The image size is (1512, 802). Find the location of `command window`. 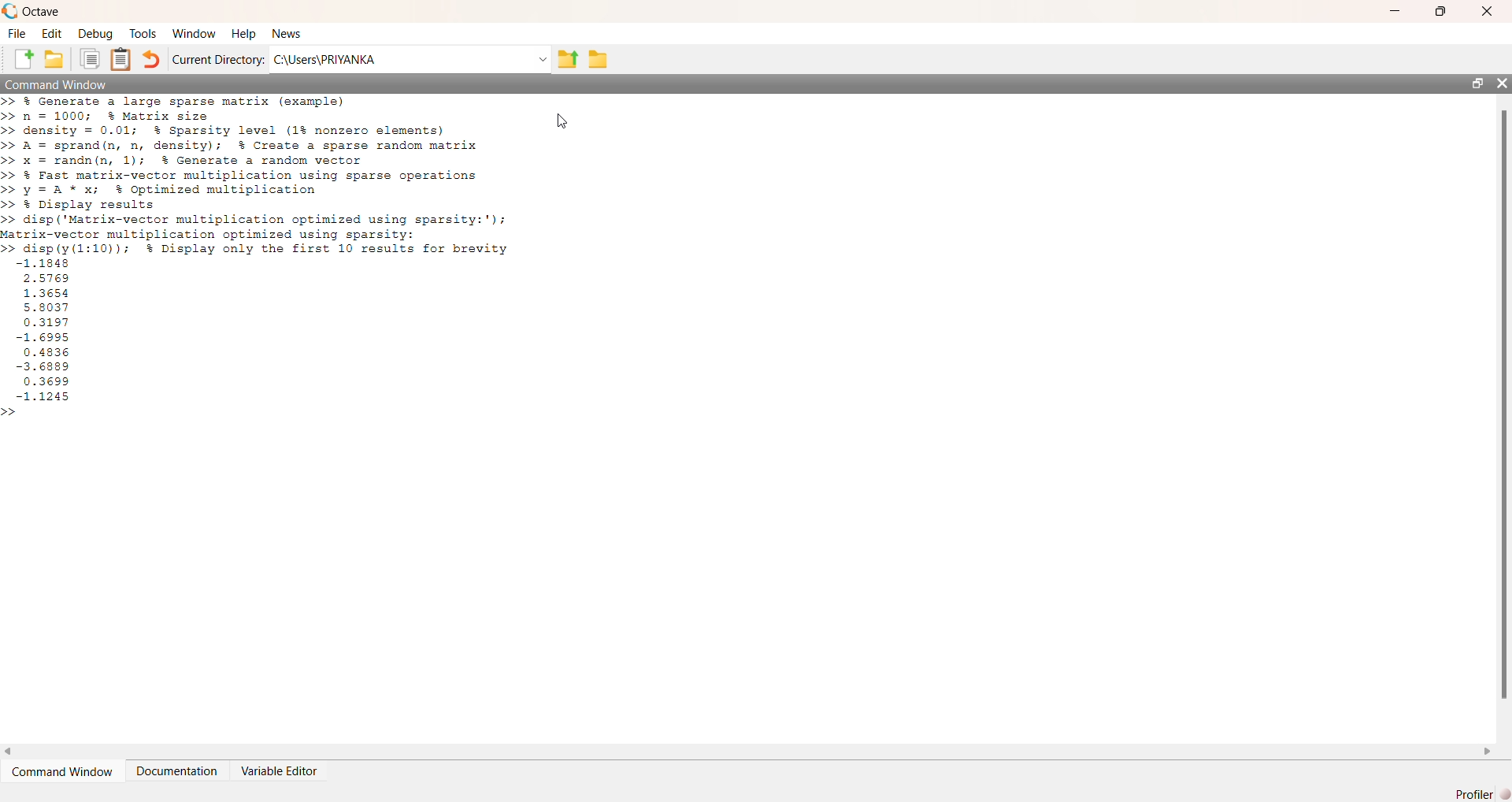

command window is located at coordinates (60, 774).